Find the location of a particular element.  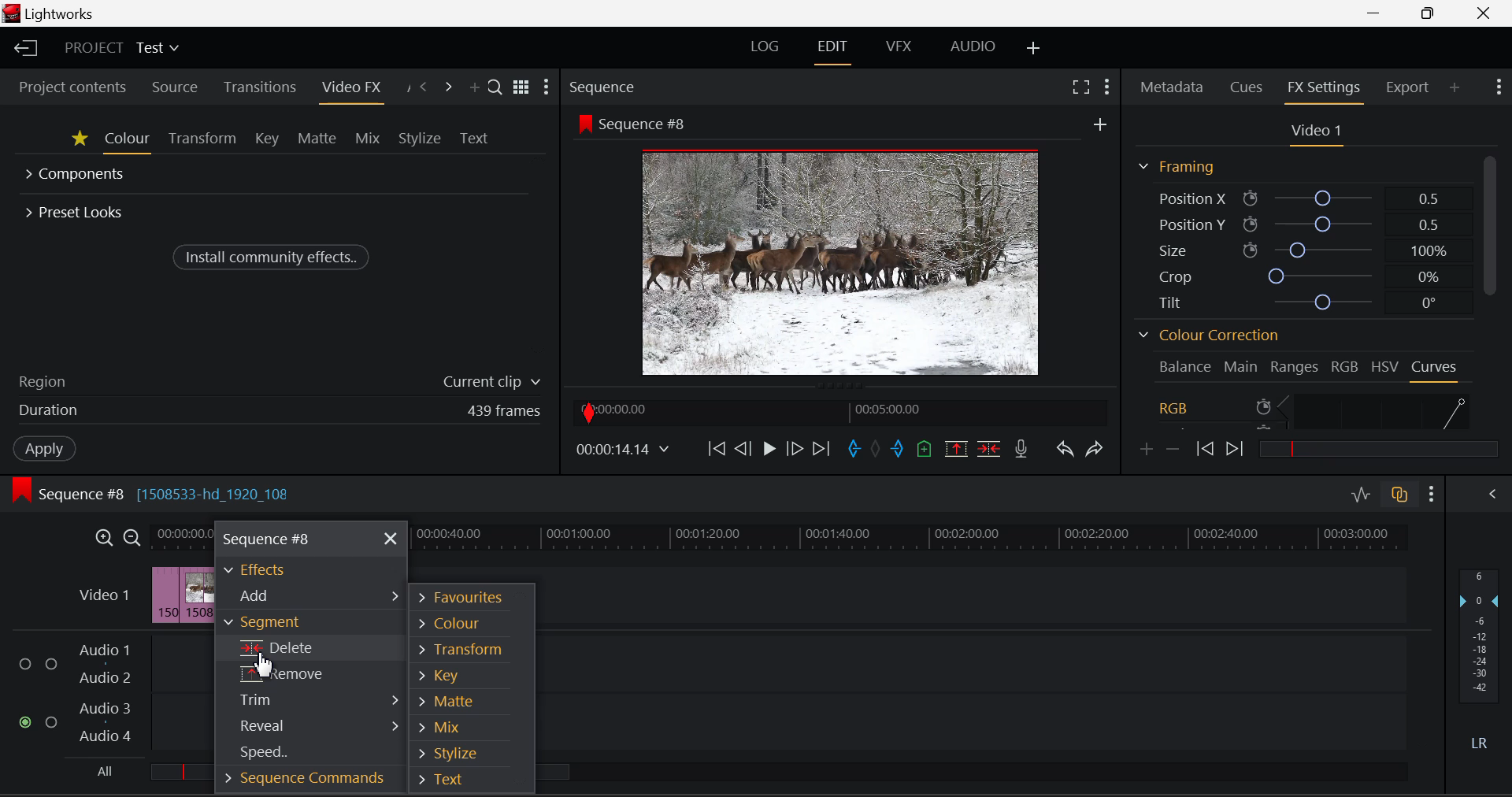

Mark Out is located at coordinates (898, 449).